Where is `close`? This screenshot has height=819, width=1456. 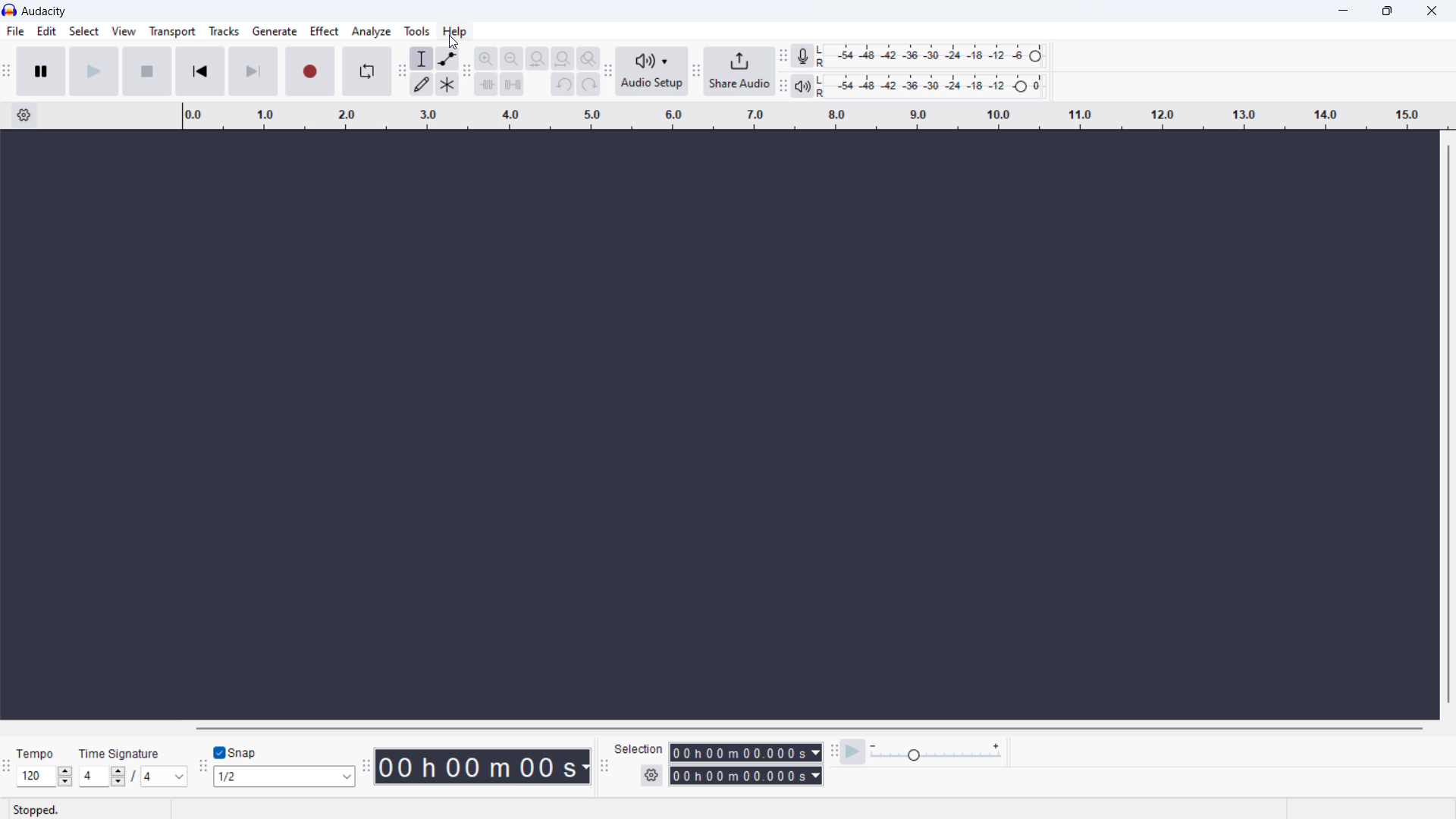 close is located at coordinates (1433, 11).